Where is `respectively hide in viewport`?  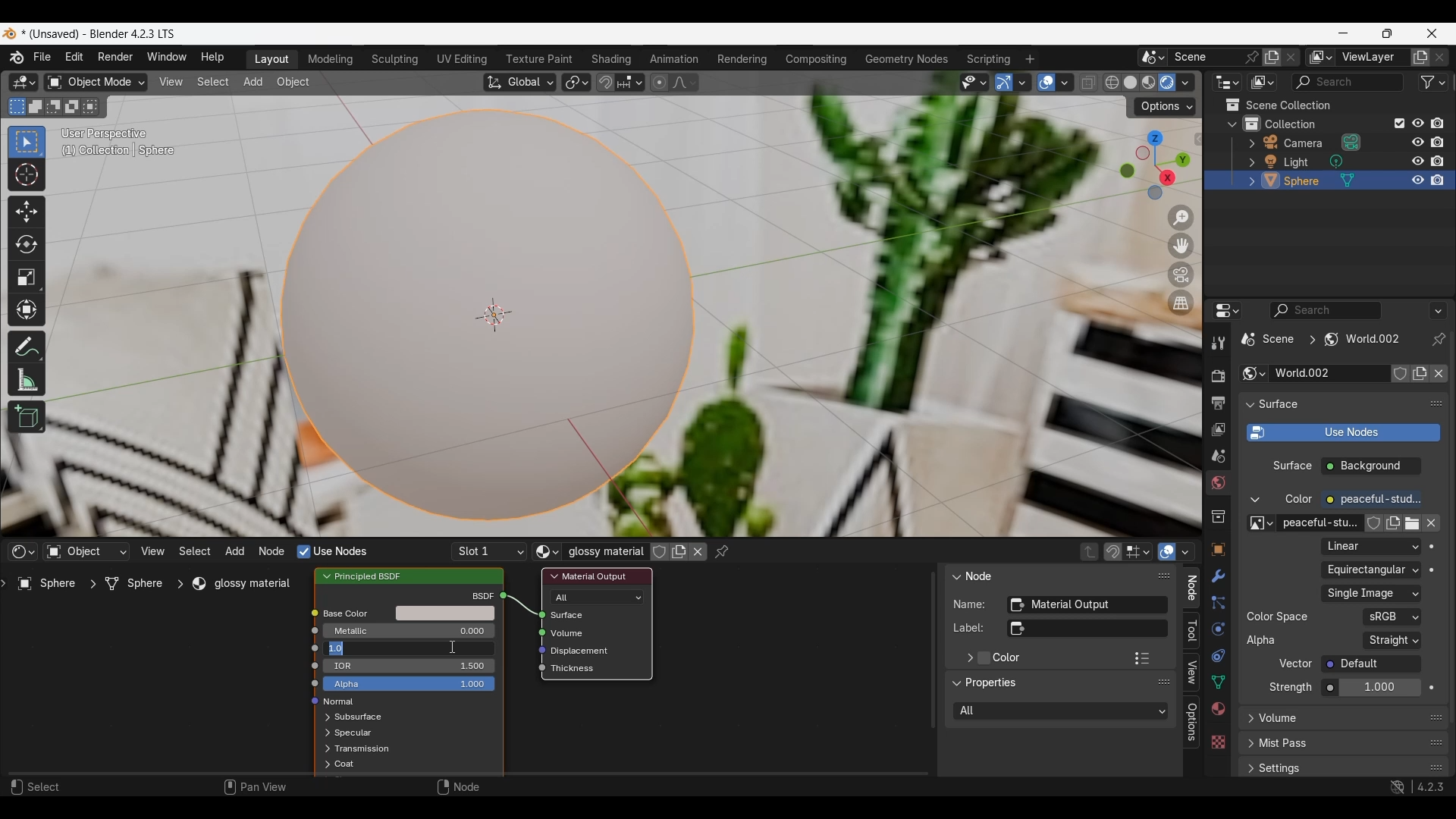
respectively hide in viewport is located at coordinates (1416, 180).